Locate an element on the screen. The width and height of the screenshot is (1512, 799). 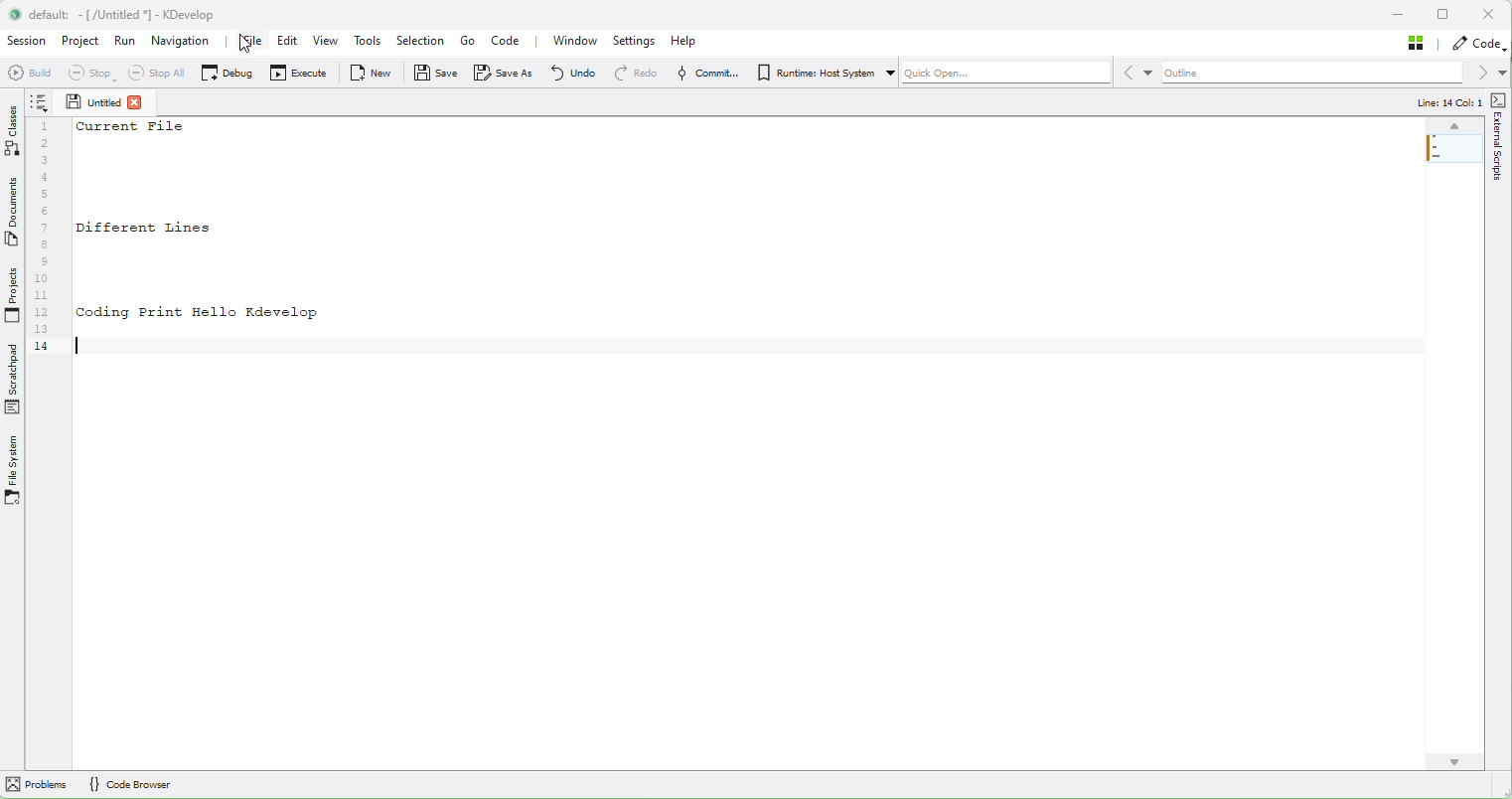
line: 14 Col: 1 is located at coordinates (1446, 101).